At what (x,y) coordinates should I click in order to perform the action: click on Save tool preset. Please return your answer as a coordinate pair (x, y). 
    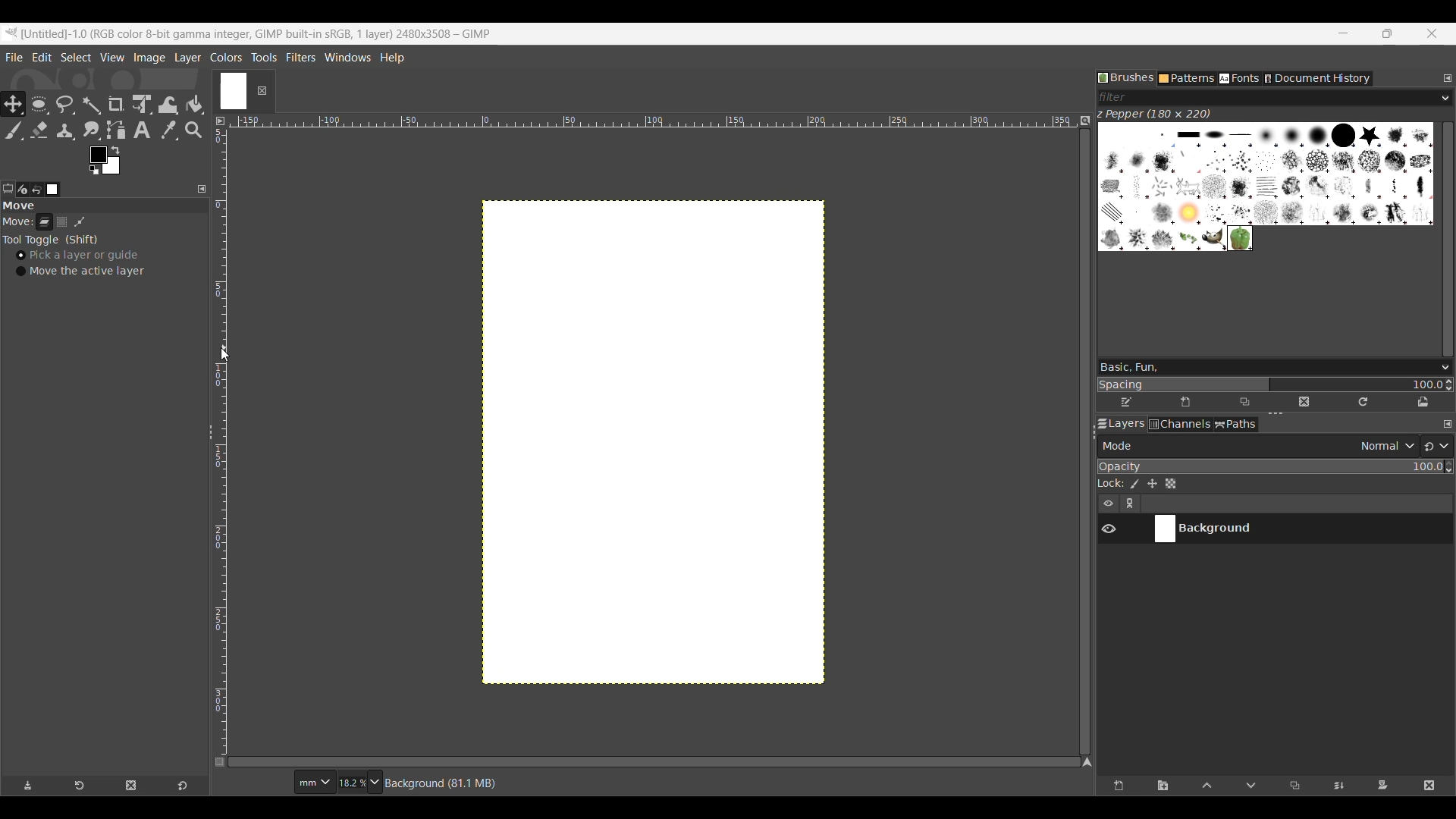
    Looking at the image, I should click on (28, 786).